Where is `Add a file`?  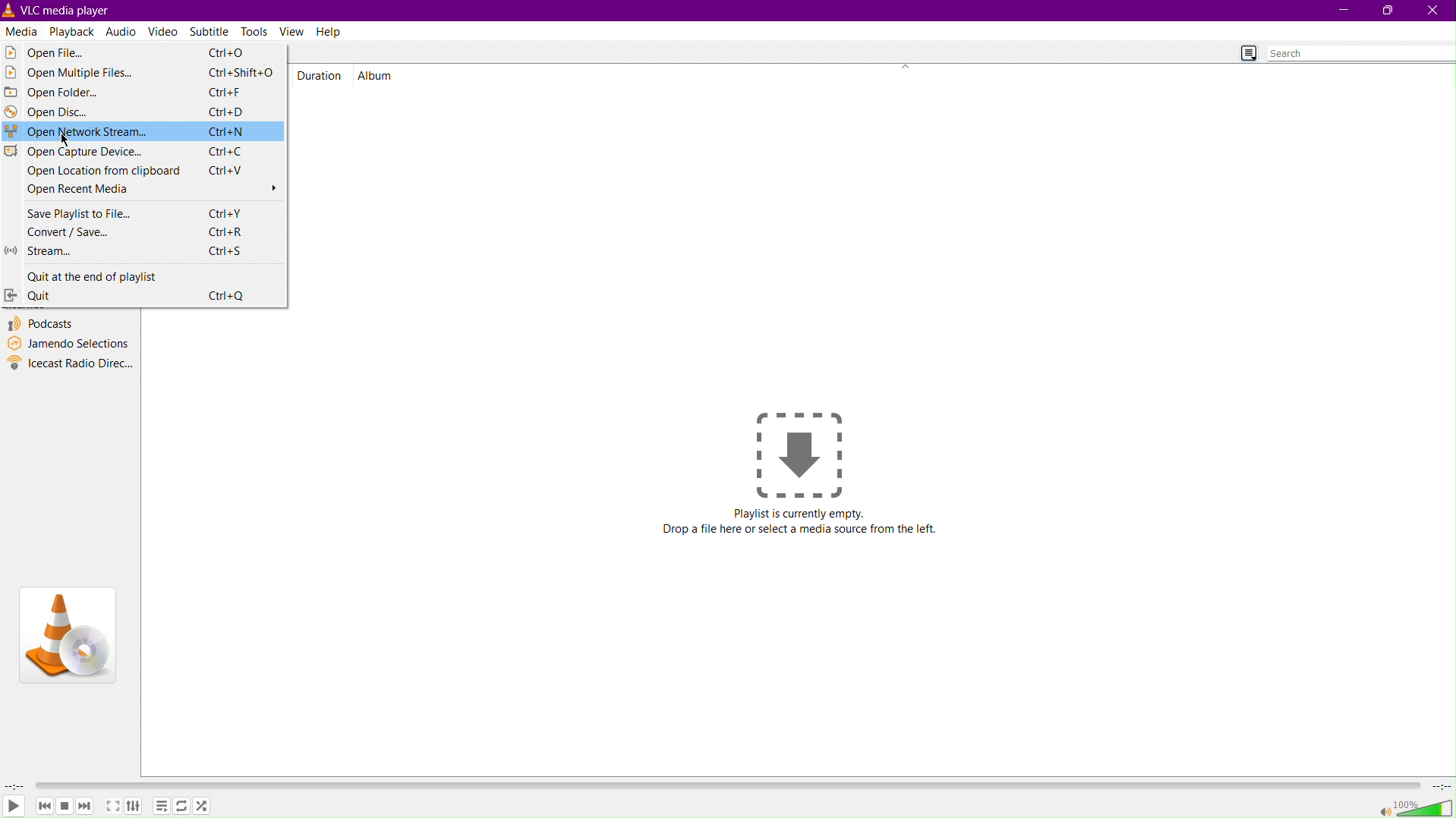 Add a file is located at coordinates (802, 449).